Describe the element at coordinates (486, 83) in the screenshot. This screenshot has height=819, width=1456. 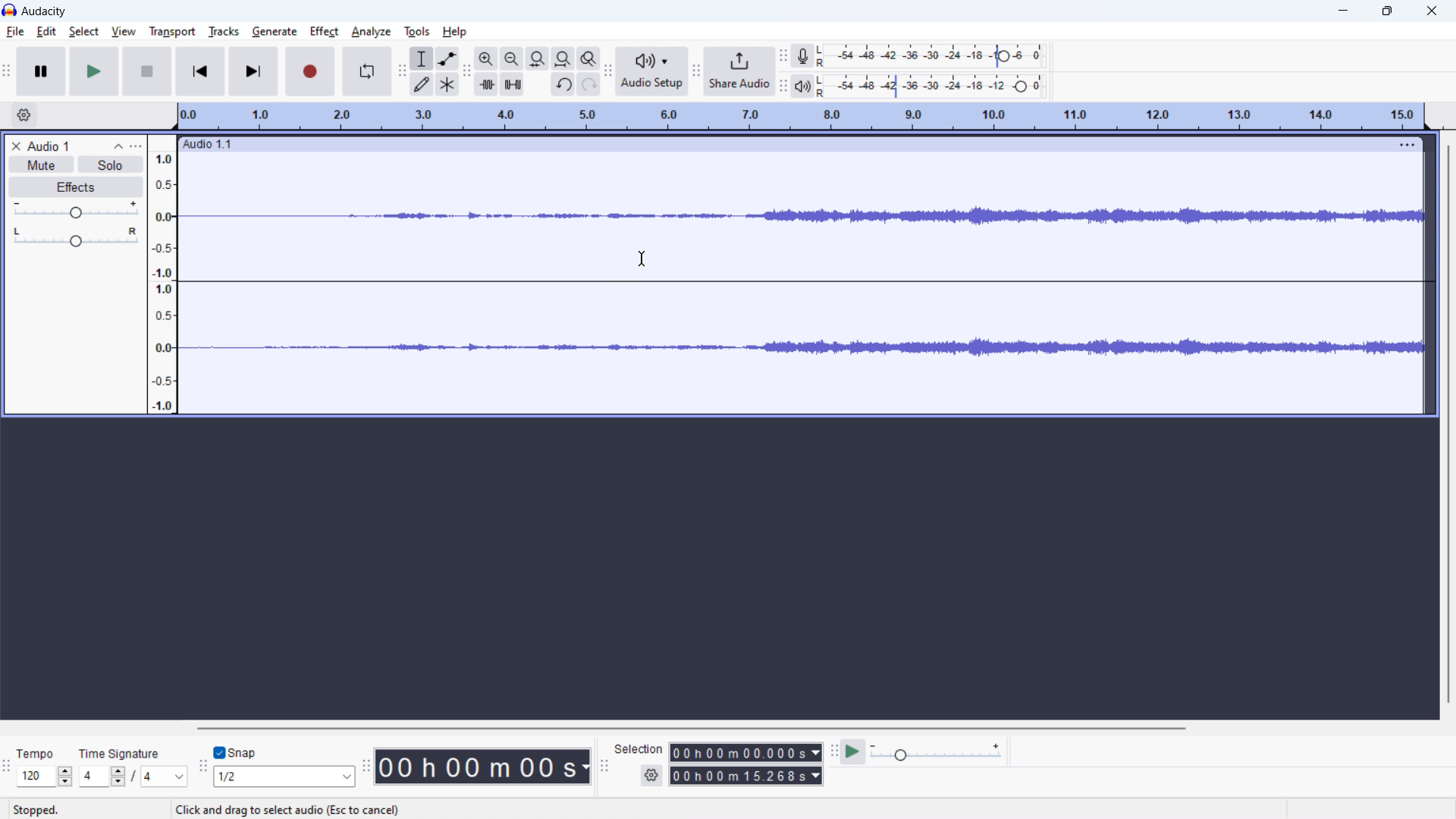
I see `trim audio outside selection` at that location.